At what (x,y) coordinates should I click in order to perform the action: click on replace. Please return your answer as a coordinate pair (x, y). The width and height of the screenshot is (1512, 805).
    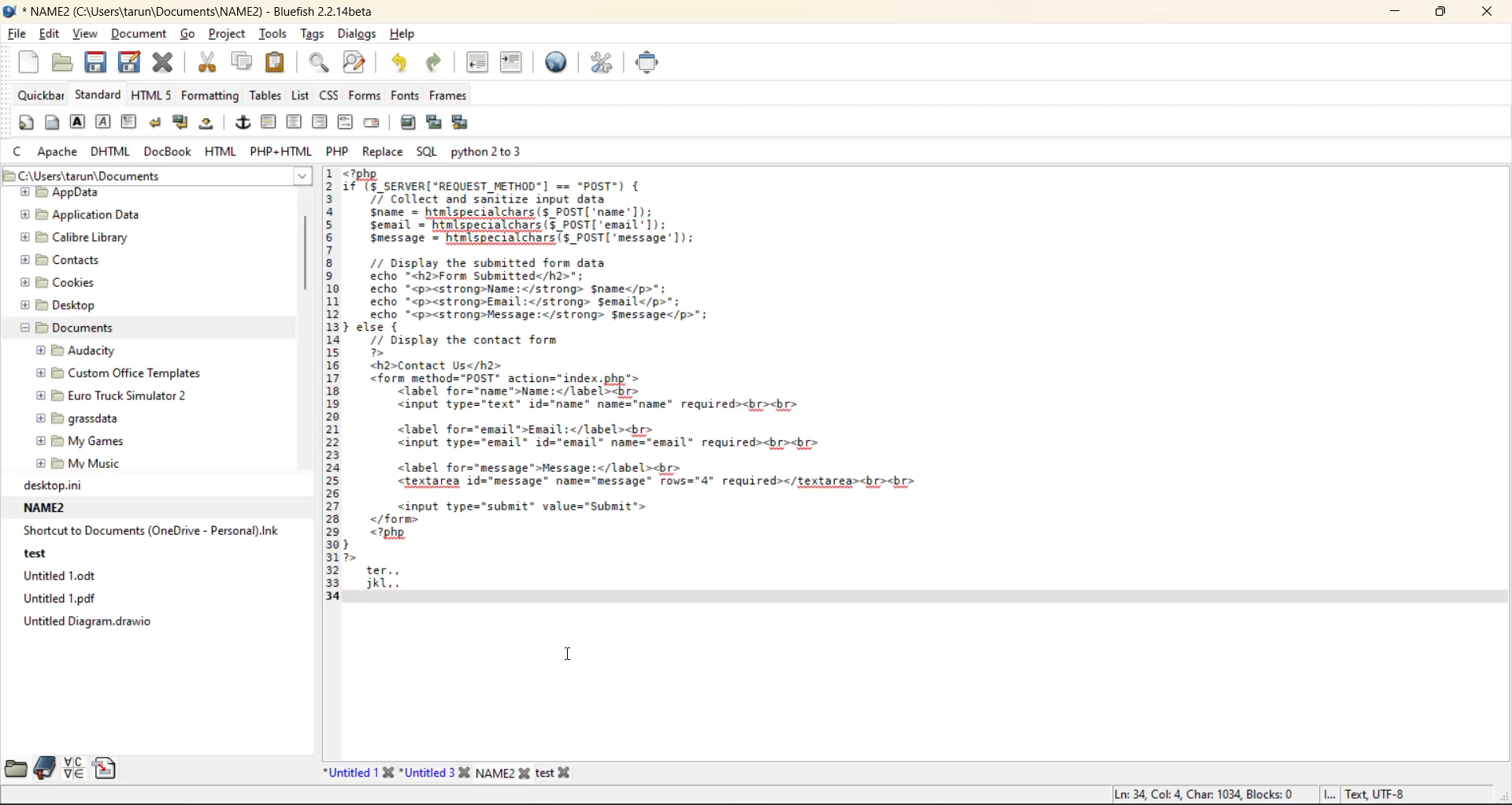
    Looking at the image, I should click on (382, 153).